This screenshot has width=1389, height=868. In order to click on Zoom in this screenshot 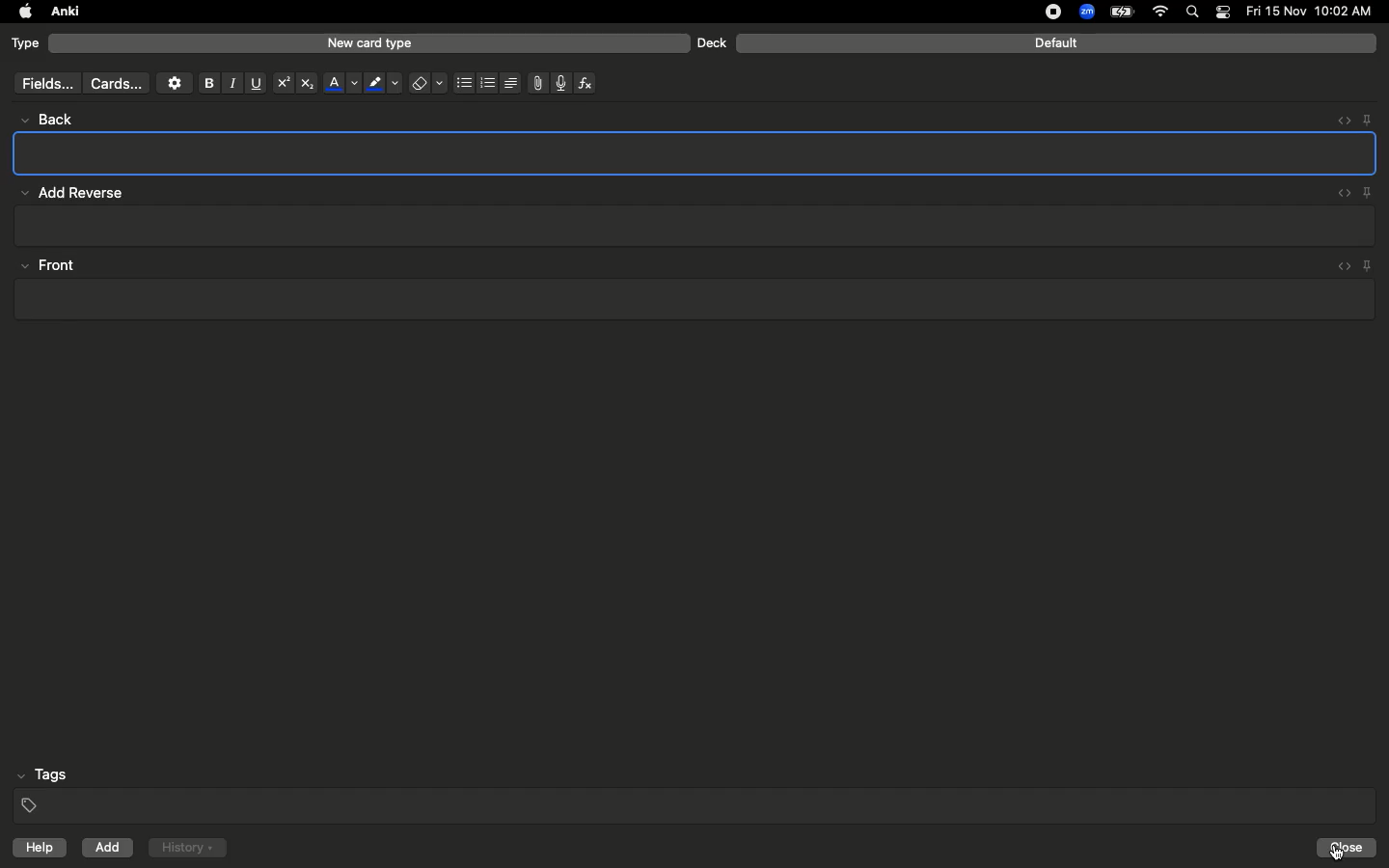, I will do `click(1085, 13)`.